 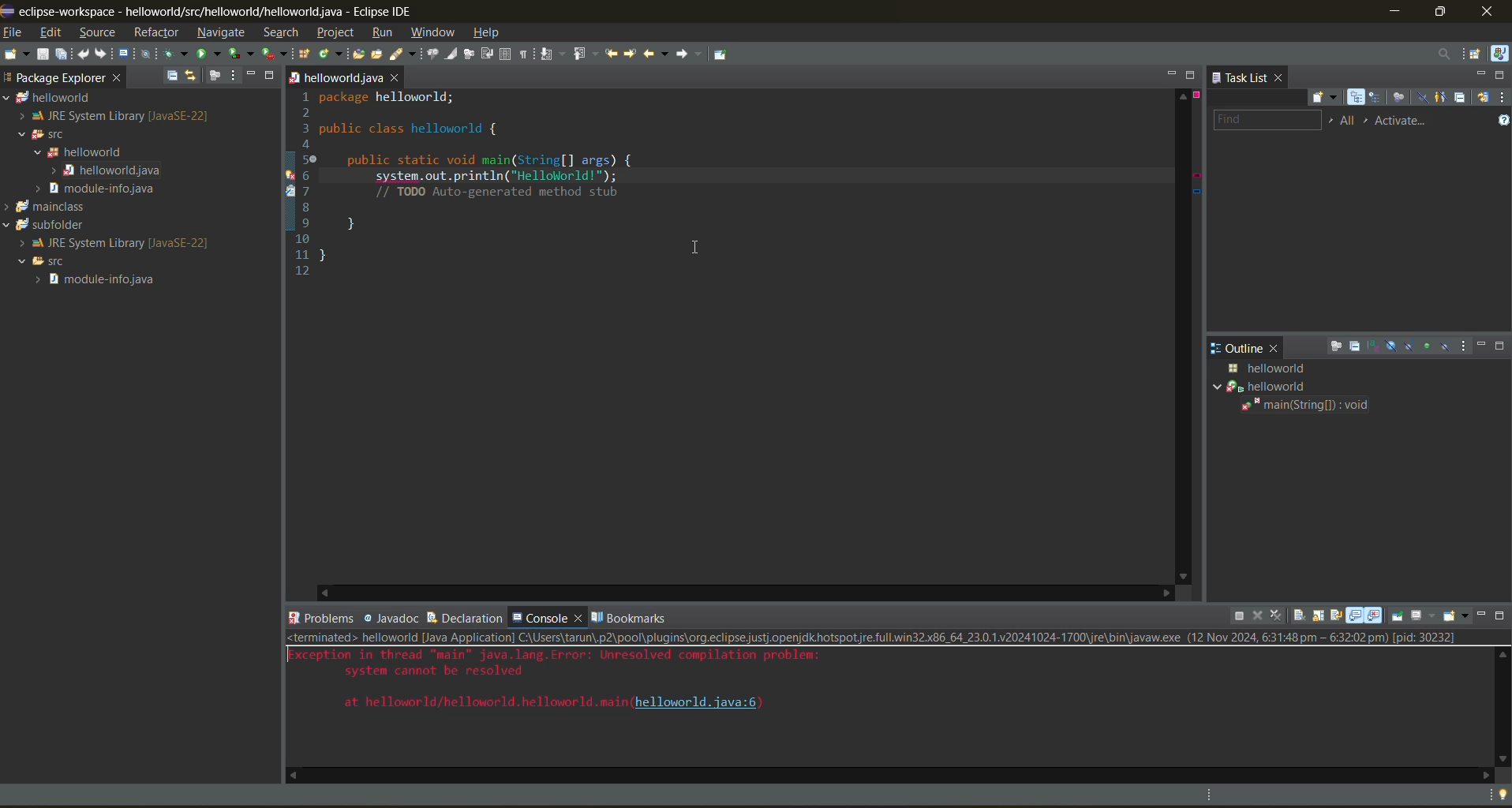 I want to click on outline, so click(x=1240, y=348).